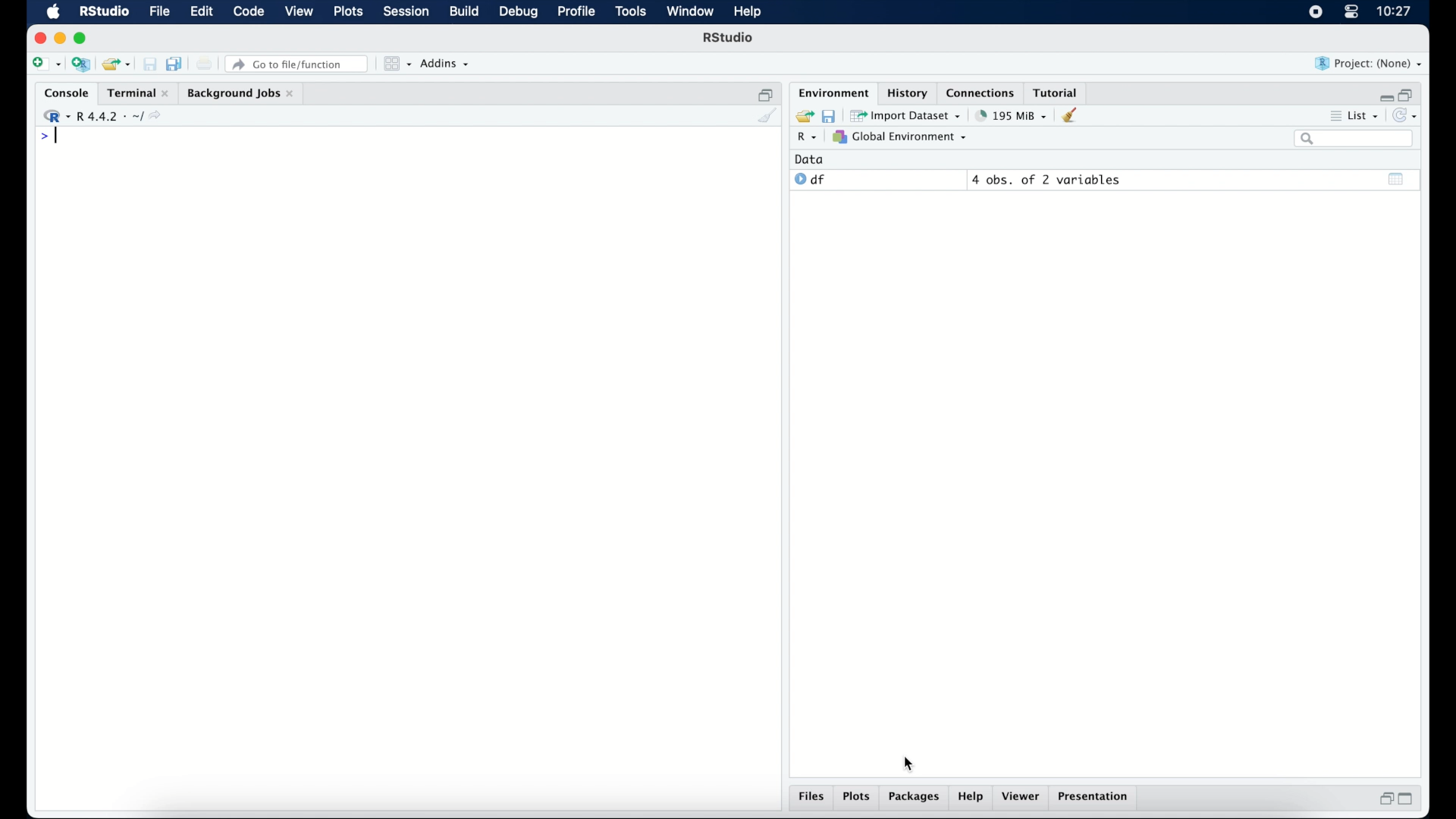 This screenshot has width=1456, height=819. What do you see at coordinates (971, 799) in the screenshot?
I see `help` at bounding box center [971, 799].